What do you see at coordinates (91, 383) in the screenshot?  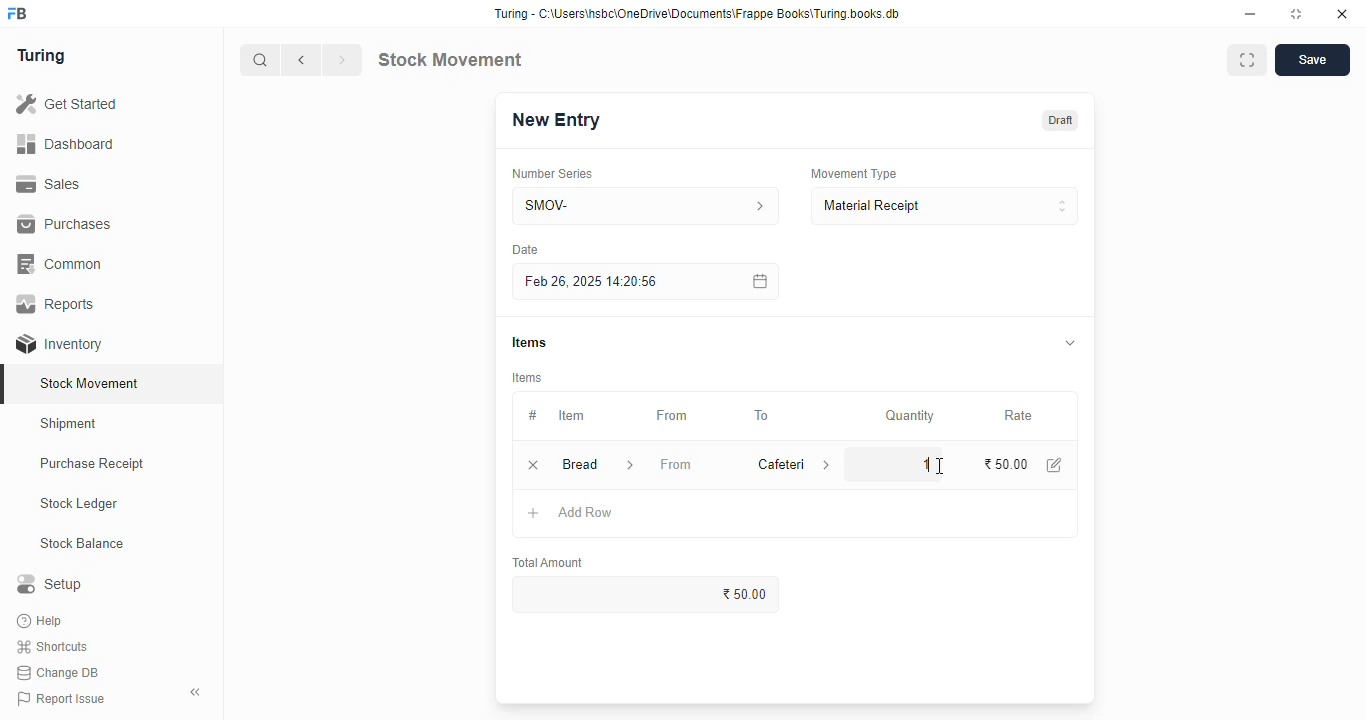 I see `stock movement` at bounding box center [91, 383].